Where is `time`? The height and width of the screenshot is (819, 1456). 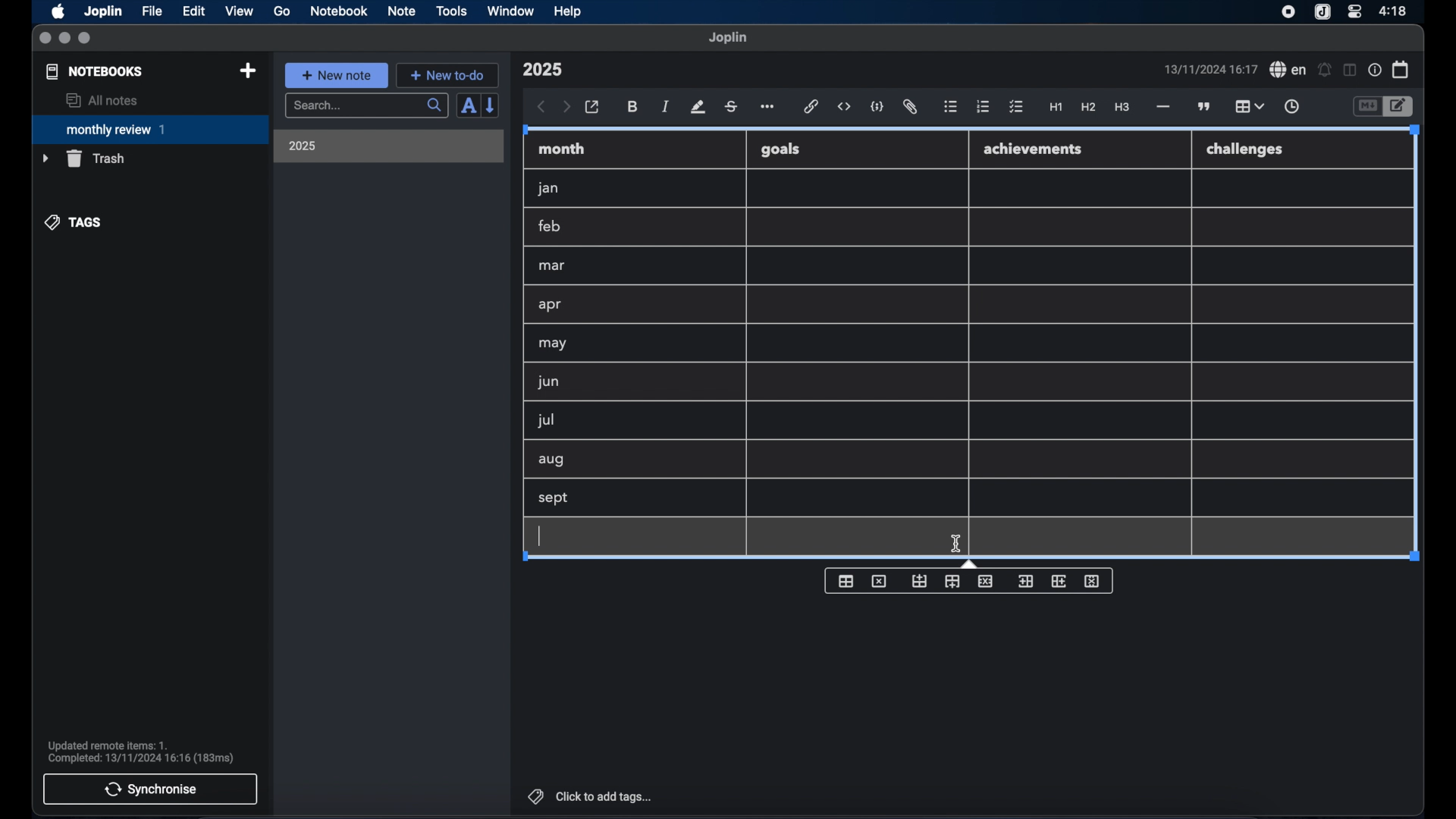
time is located at coordinates (1395, 11).